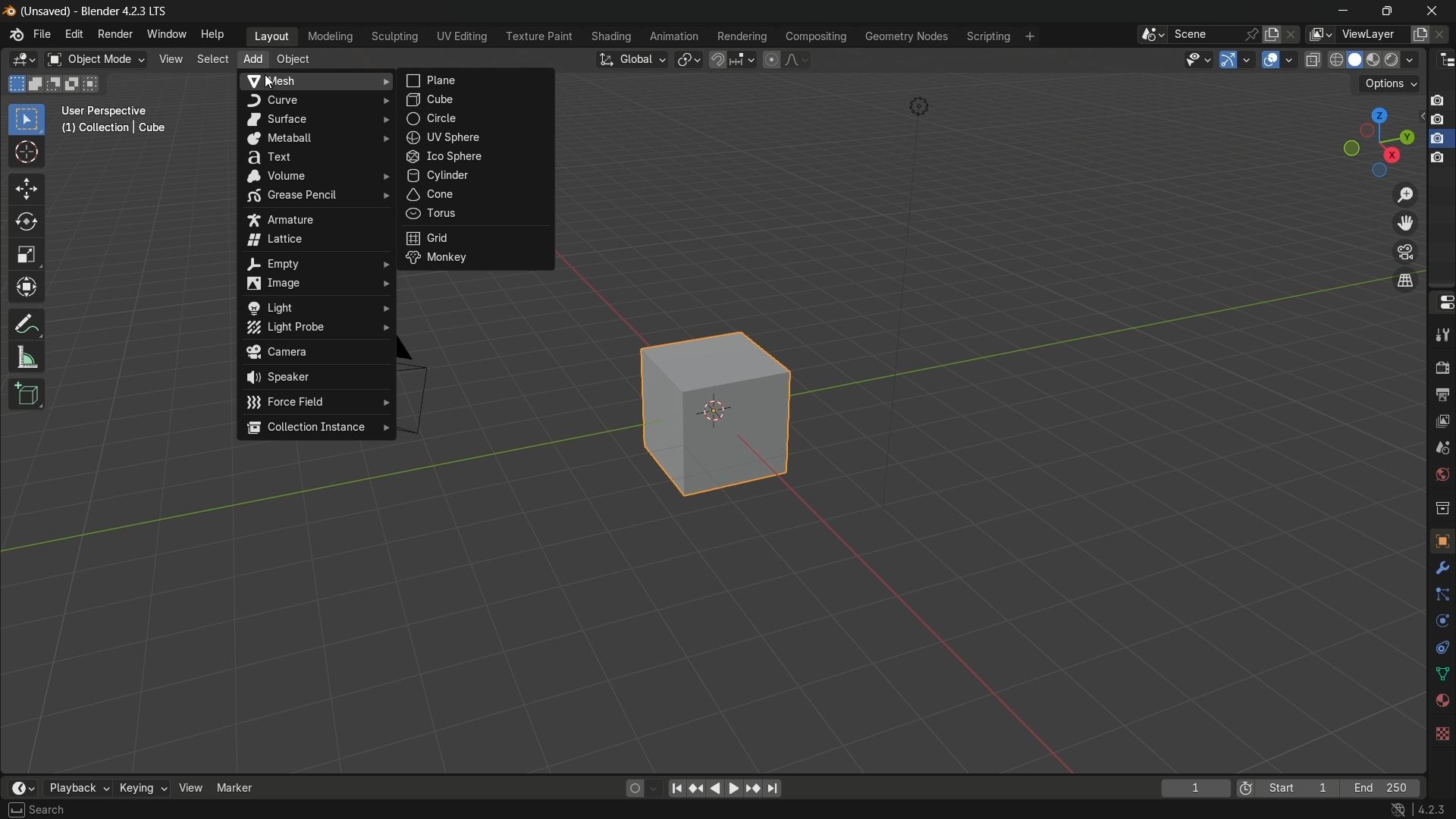  I want to click on particle, so click(1441, 596).